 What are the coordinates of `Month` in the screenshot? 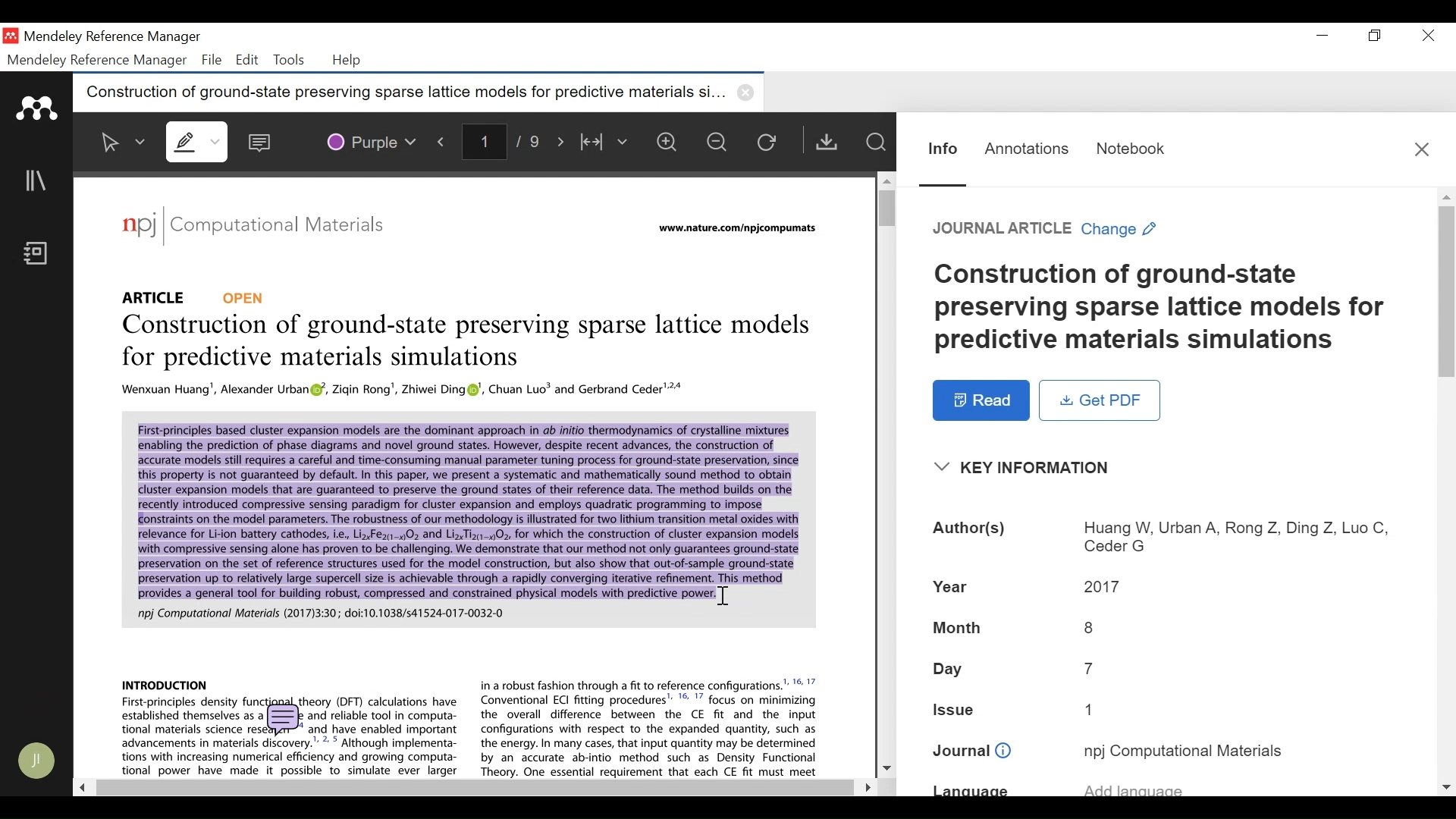 It's located at (958, 629).